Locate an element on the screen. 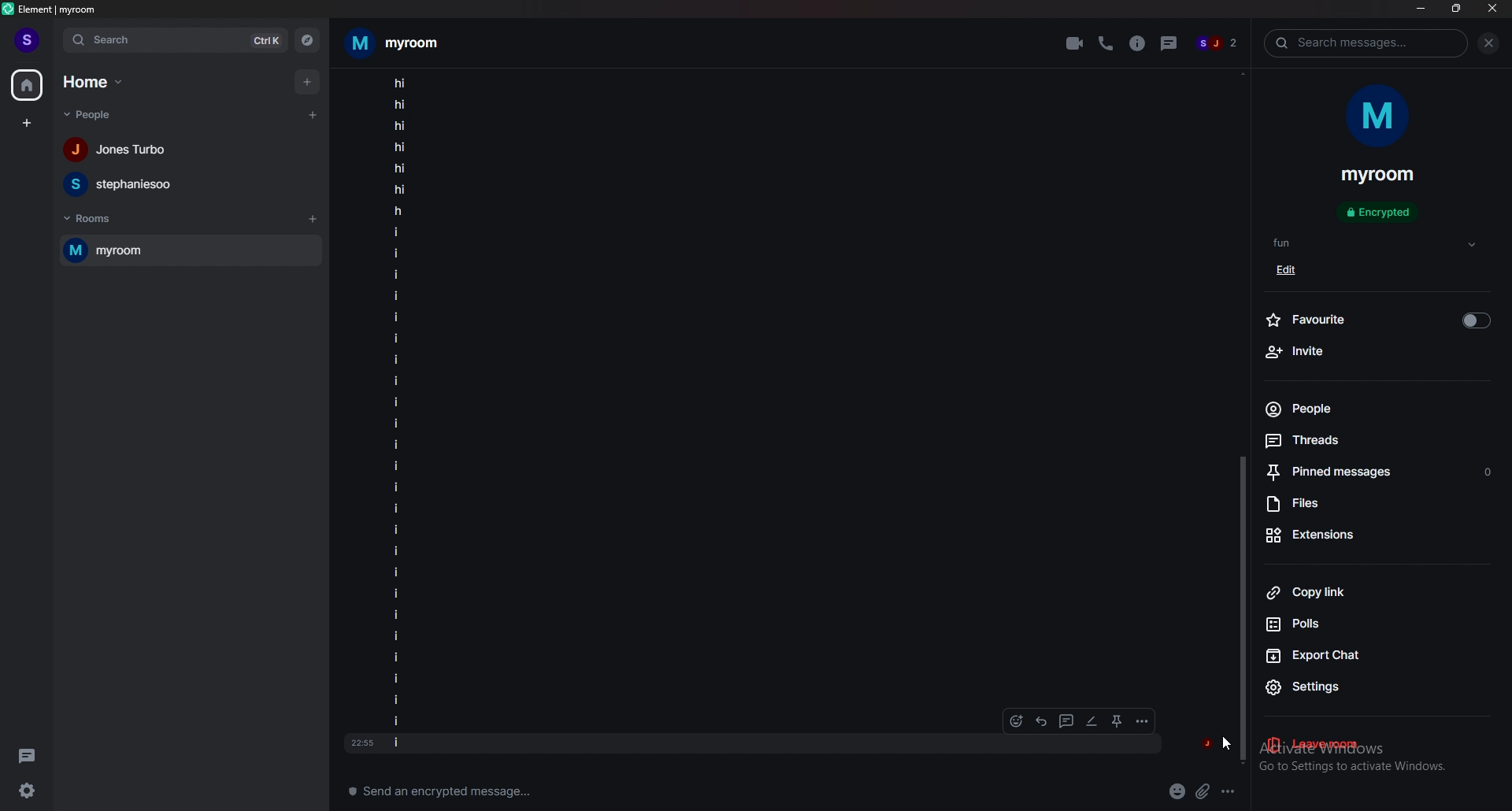  stephaniesoo is located at coordinates (182, 186).